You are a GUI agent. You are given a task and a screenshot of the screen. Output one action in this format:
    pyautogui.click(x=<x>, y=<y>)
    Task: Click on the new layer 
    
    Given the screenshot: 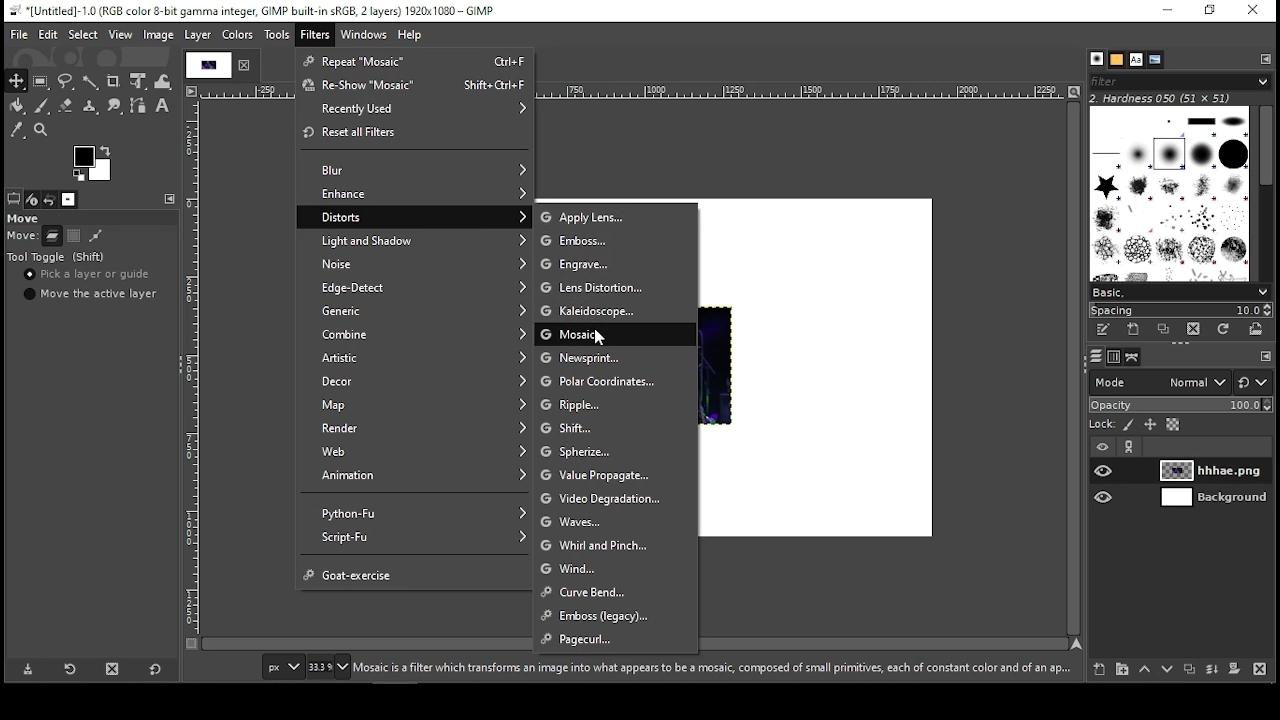 What is the action you would take?
    pyautogui.click(x=1101, y=669)
    